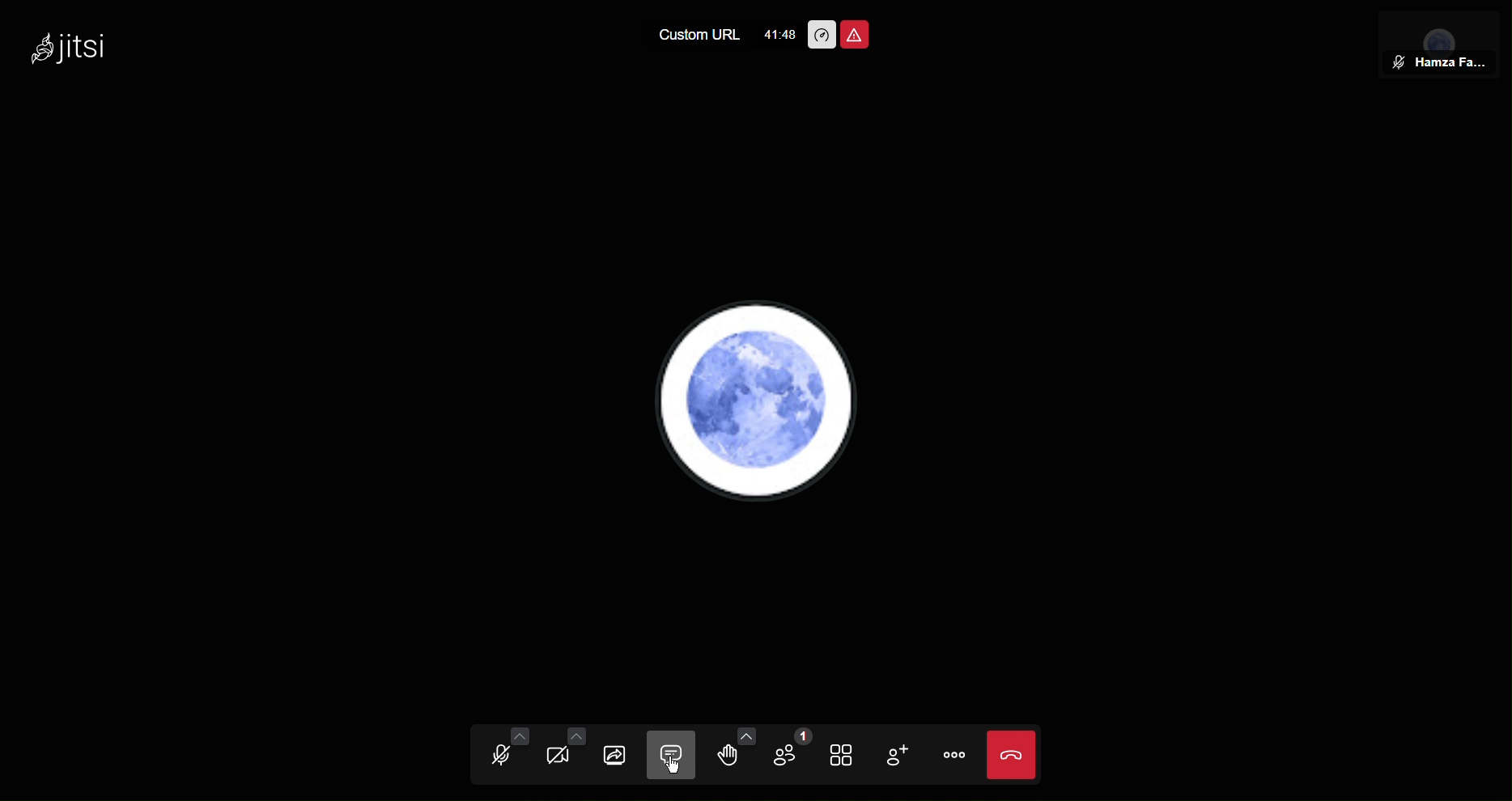  Describe the element at coordinates (758, 404) in the screenshot. I see `Account Profile Picture` at that location.